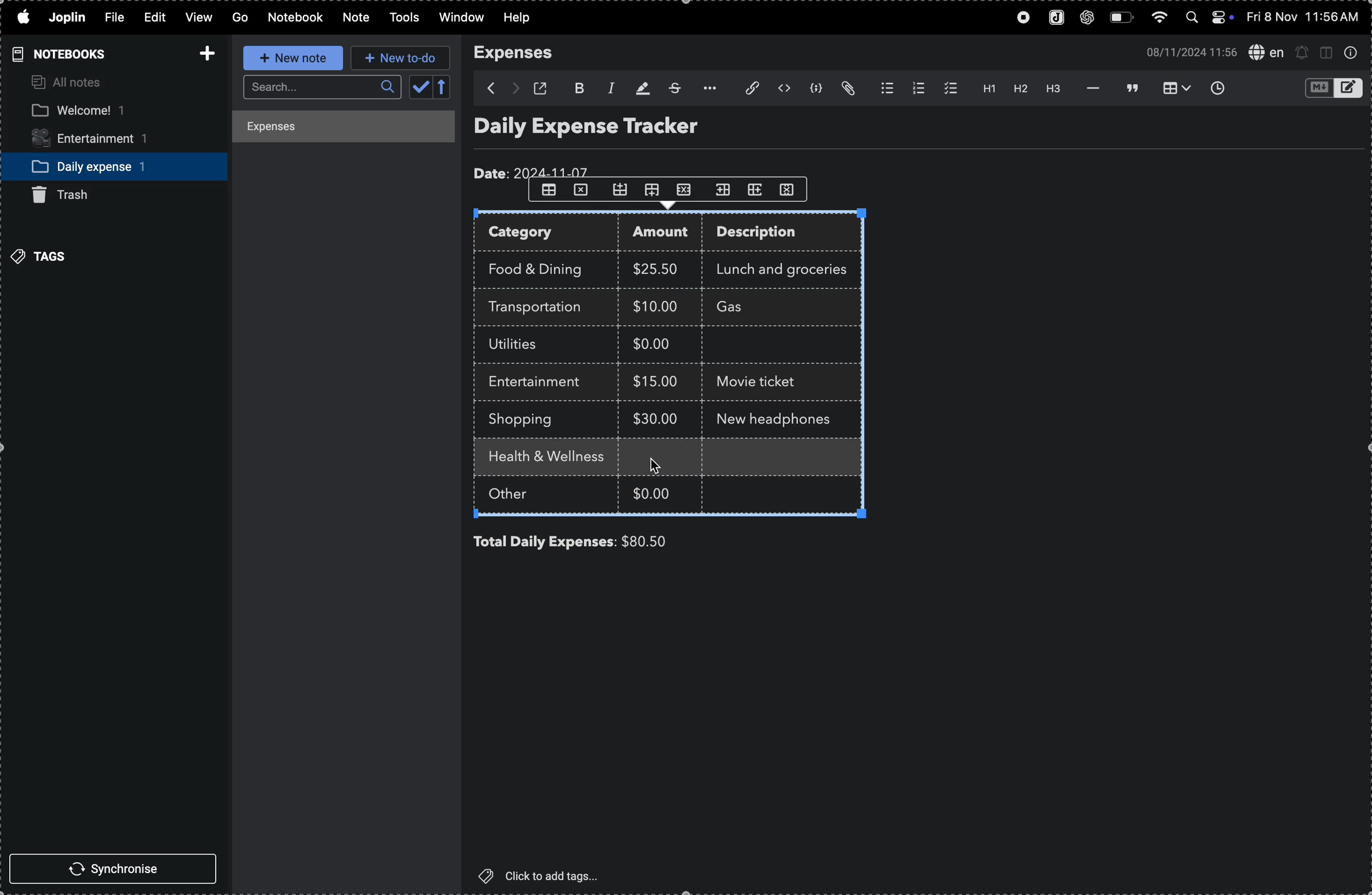 This screenshot has height=895, width=1372. What do you see at coordinates (431, 88) in the screenshot?
I see `calendar` at bounding box center [431, 88].